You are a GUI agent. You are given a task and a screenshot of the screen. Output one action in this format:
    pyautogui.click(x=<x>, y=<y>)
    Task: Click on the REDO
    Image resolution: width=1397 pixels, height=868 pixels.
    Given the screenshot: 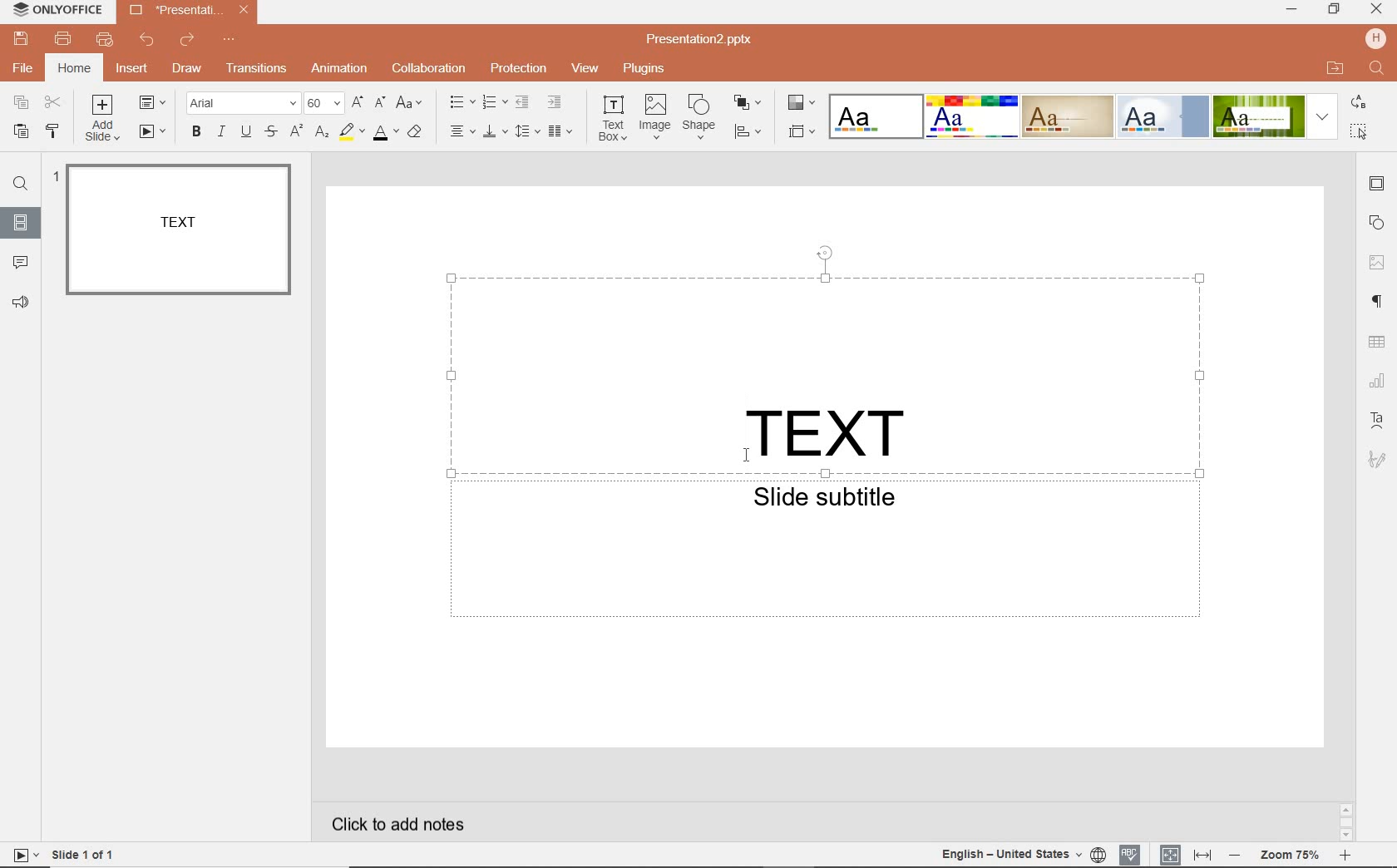 What is the action you would take?
    pyautogui.click(x=185, y=41)
    